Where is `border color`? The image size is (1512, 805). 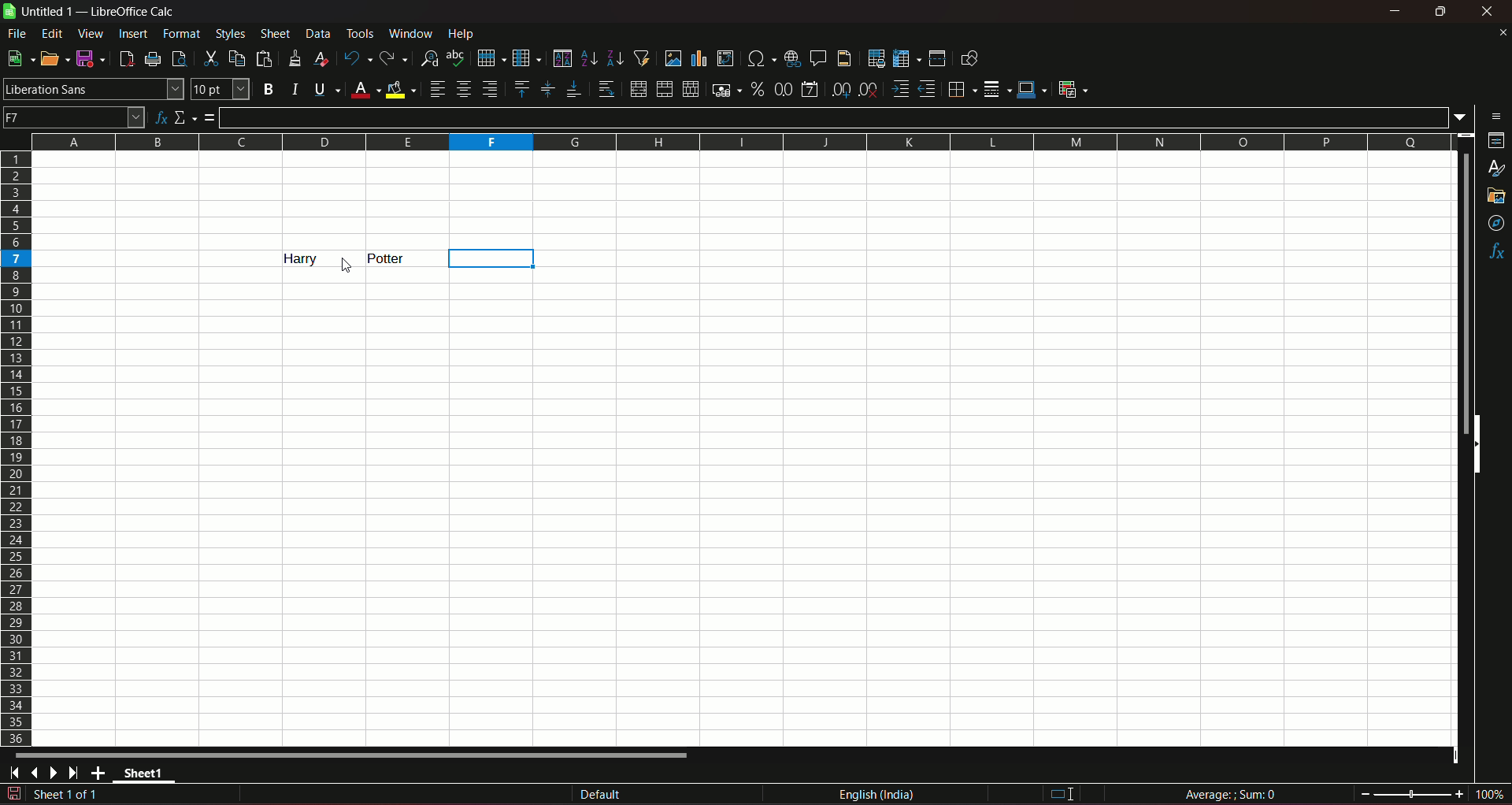 border color is located at coordinates (1032, 88).